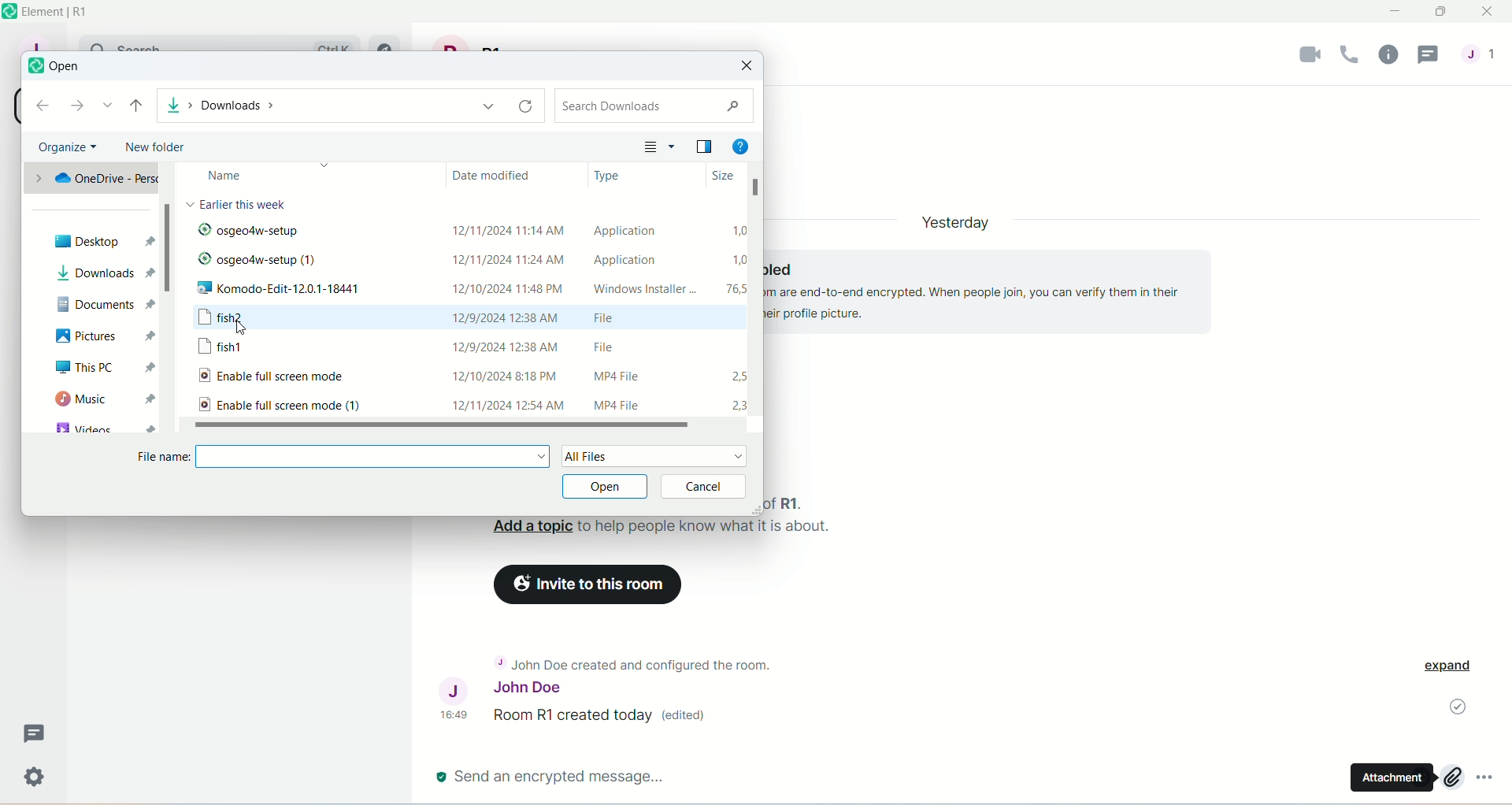 The image size is (1512, 805). Describe the element at coordinates (506, 261) in the screenshot. I see `12/11/2024 11:24 AM` at that location.